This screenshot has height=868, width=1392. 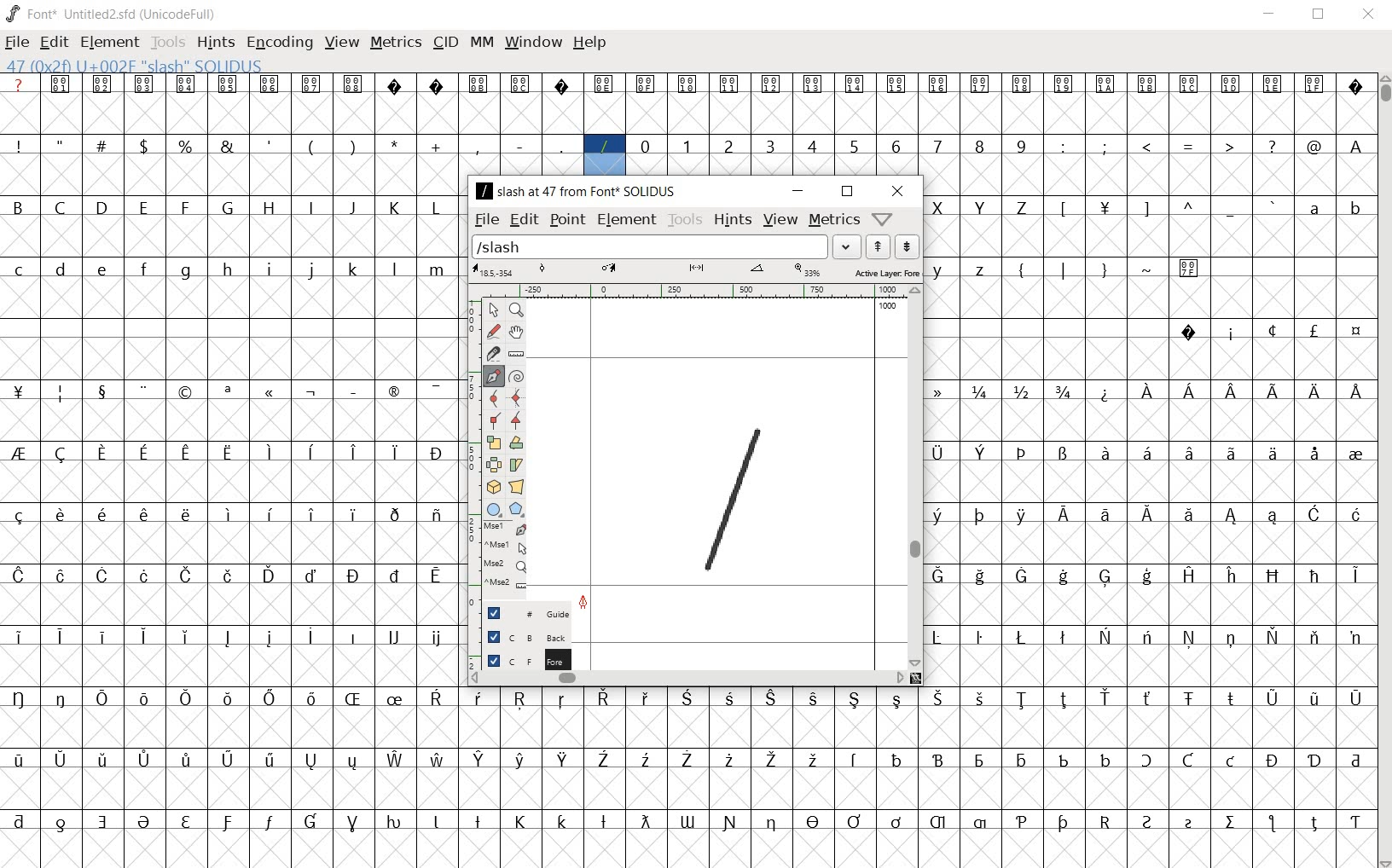 I want to click on special letters, so click(x=229, y=515).